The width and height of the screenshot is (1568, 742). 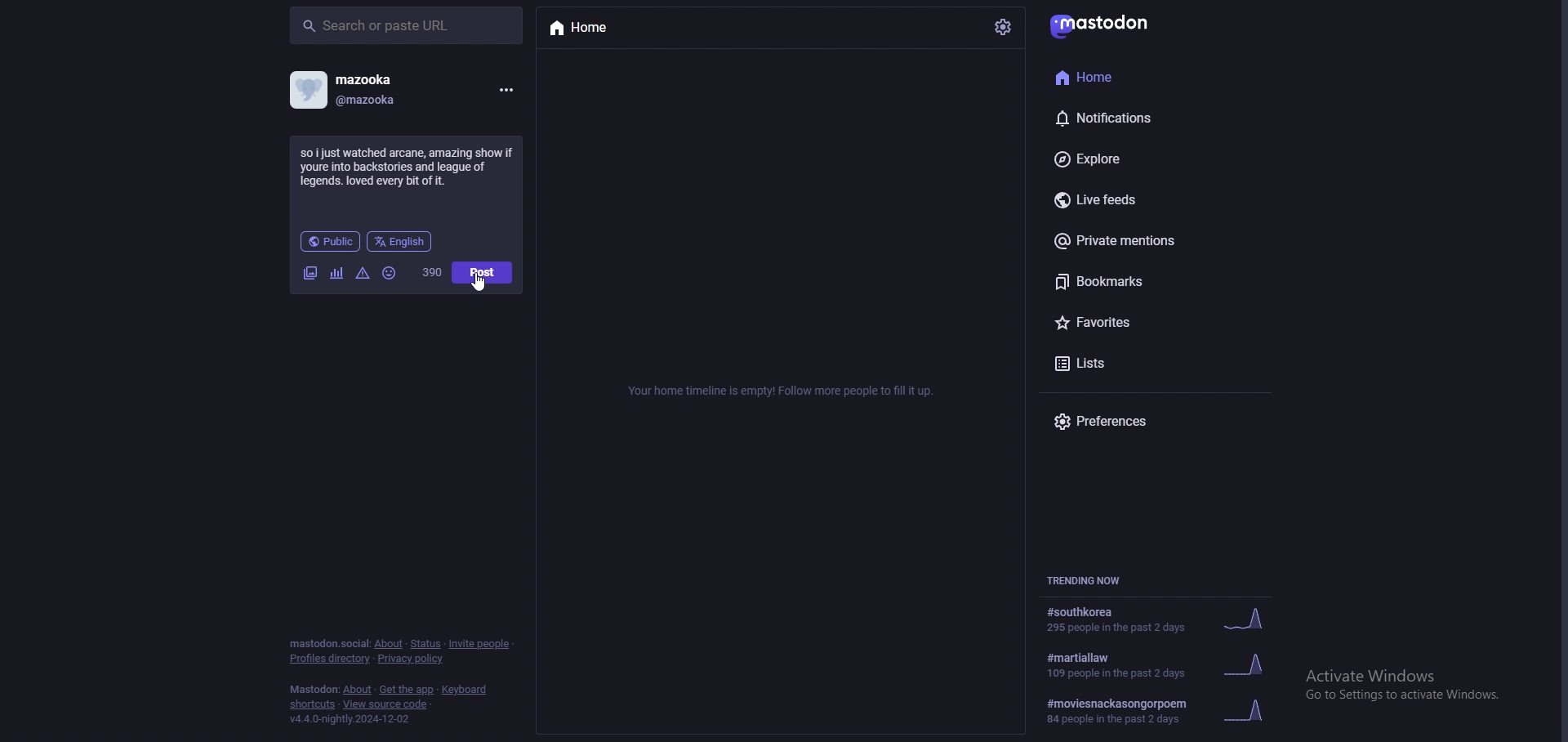 What do you see at coordinates (508, 90) in the screenshot?
I see `menu` at bounding box center [508, 90].